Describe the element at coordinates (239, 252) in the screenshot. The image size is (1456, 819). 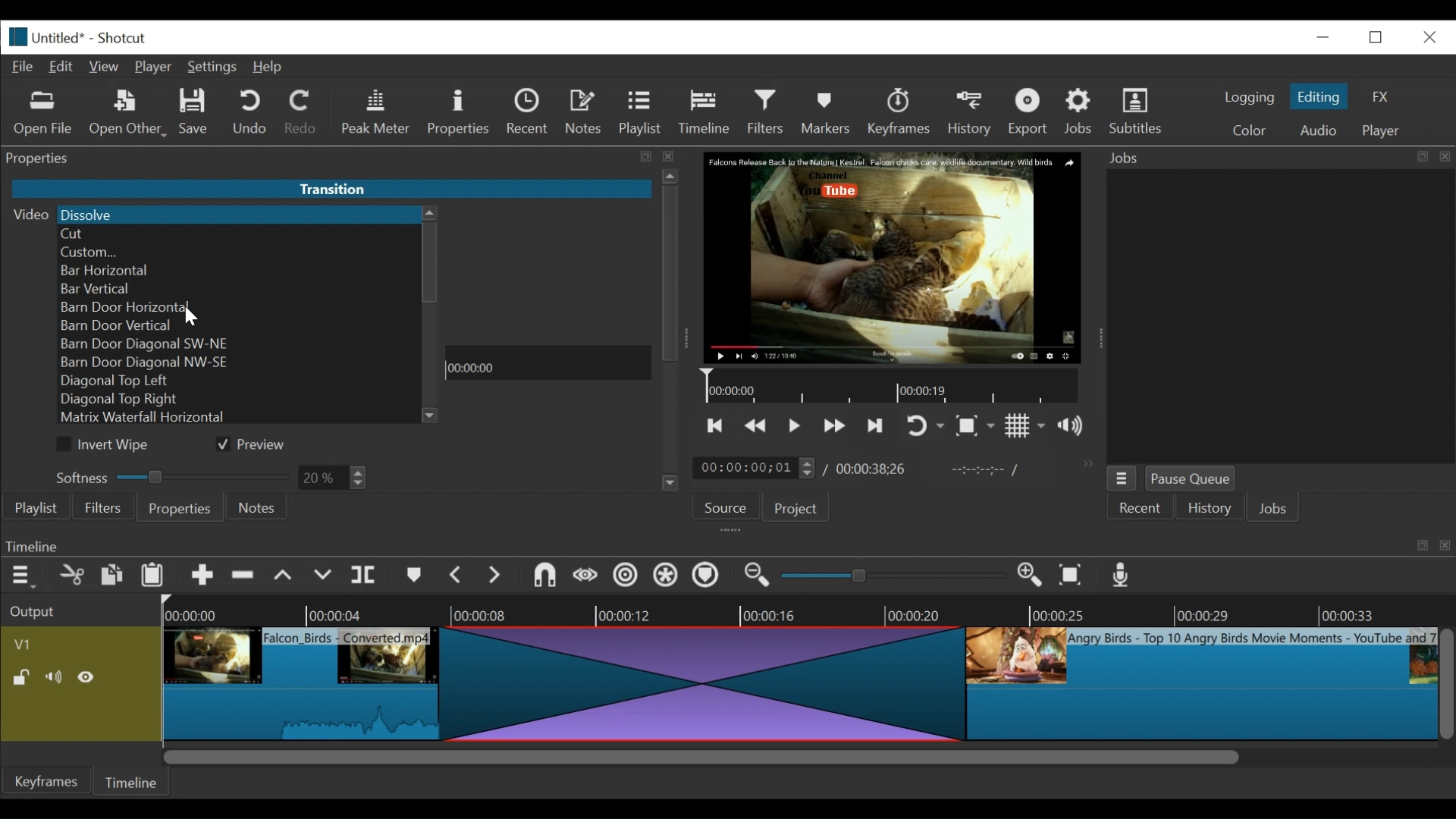
I see `Custom` at that location.